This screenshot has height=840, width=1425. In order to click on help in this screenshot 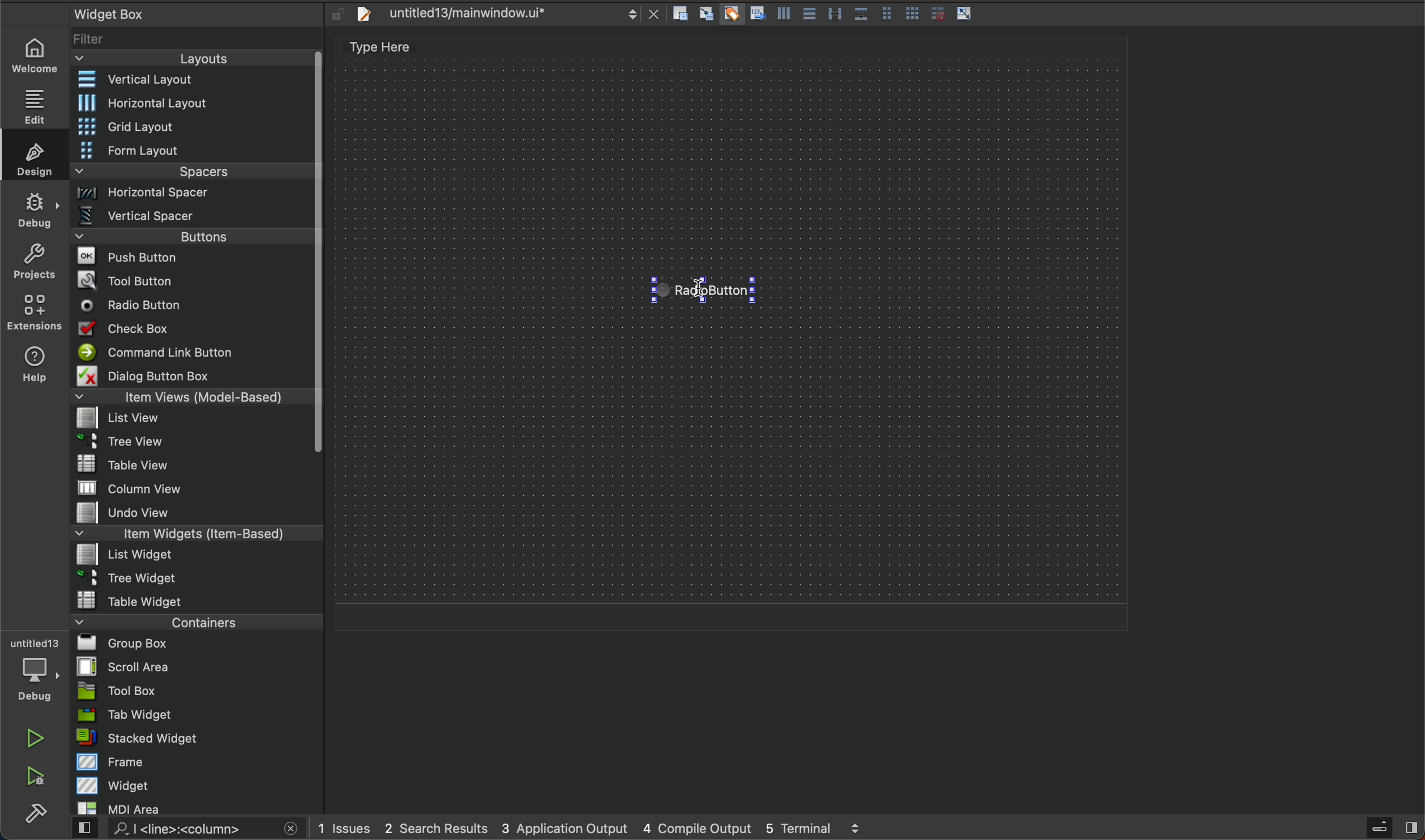, I will do `click(32, 367)`.